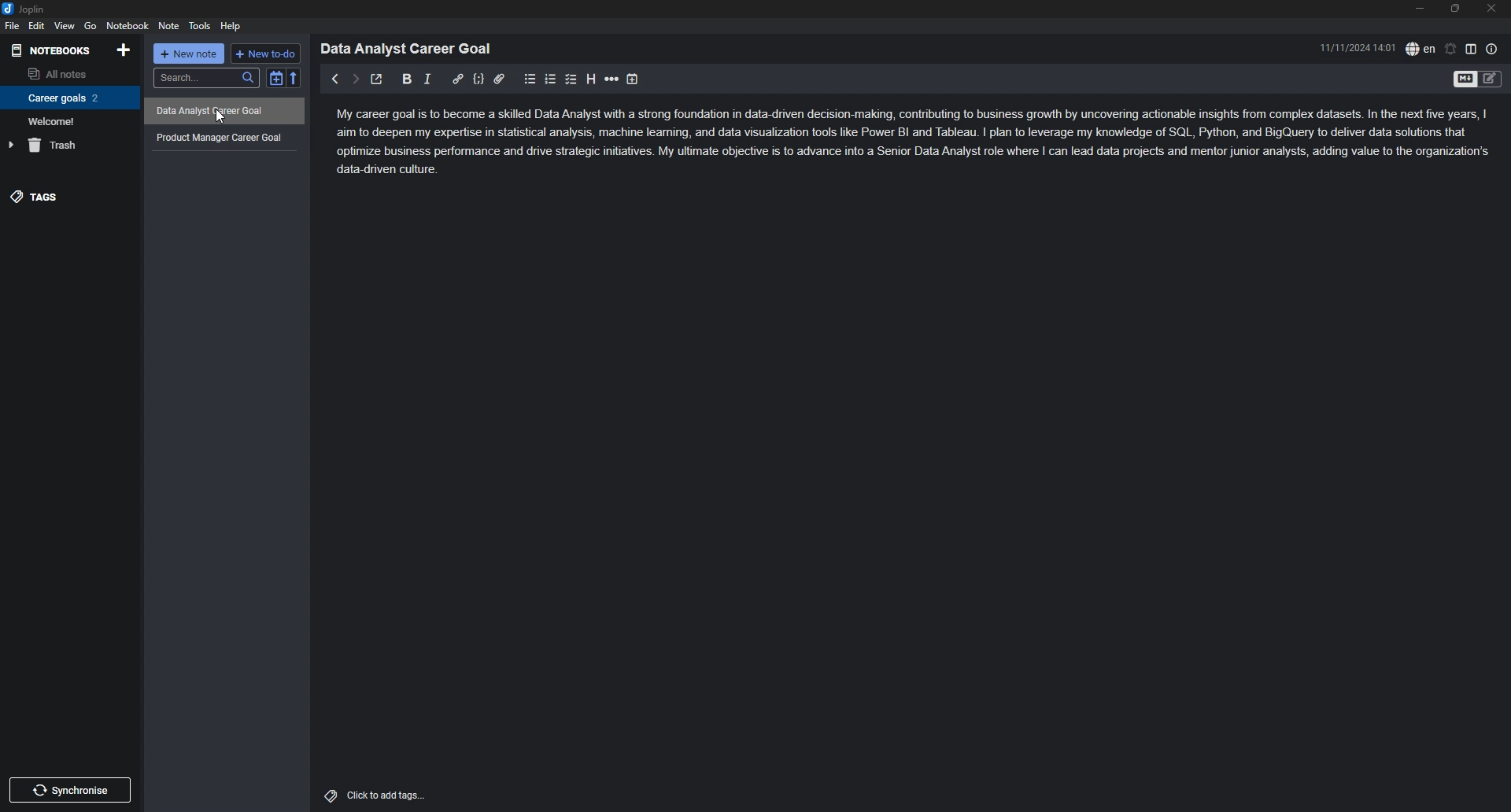 Image resolution: width=1511 pixels, height=812 pixels. What do you see at coordinates (294, 77) in the screenshot?
I see `reverse sort order` at bounding box center [294, 77].